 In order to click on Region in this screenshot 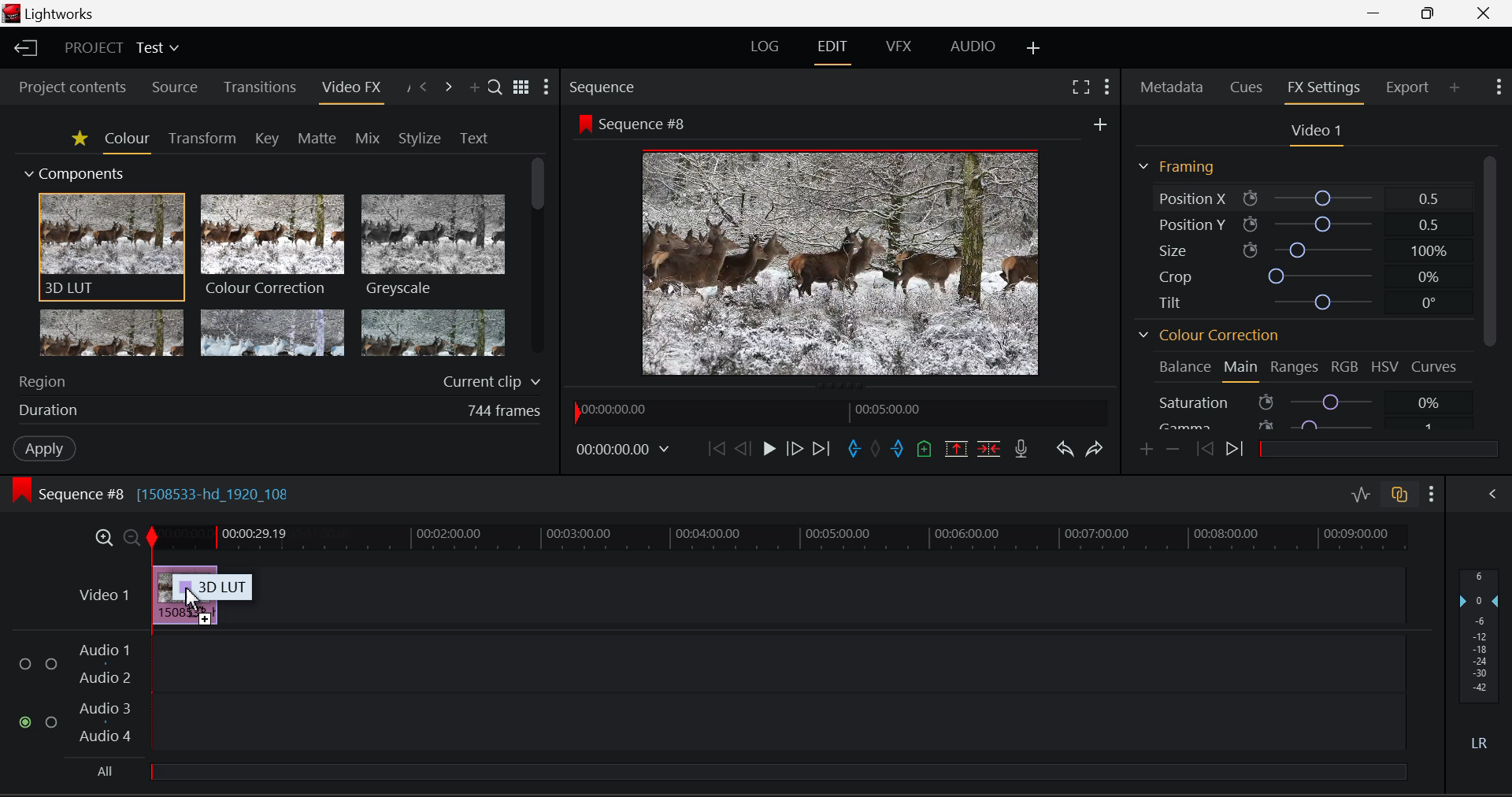, I will do `click(277, 380)`.